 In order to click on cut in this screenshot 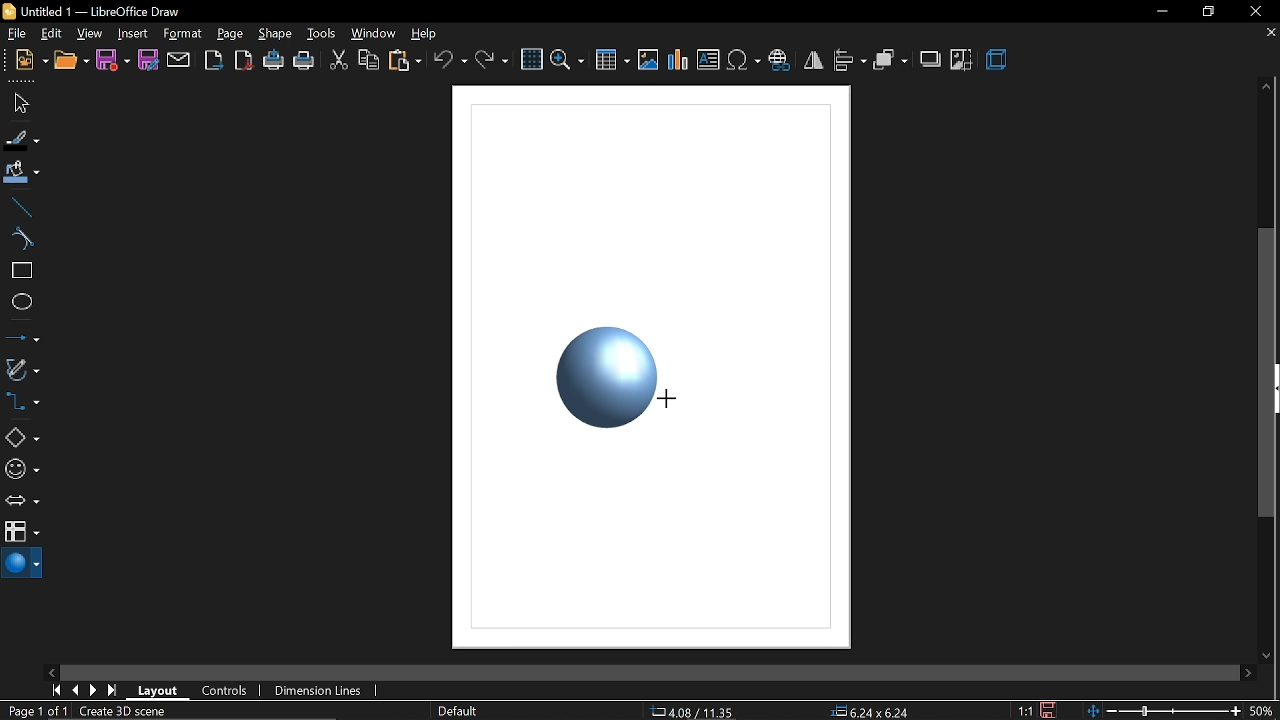, I will do `click(338, 58)`.